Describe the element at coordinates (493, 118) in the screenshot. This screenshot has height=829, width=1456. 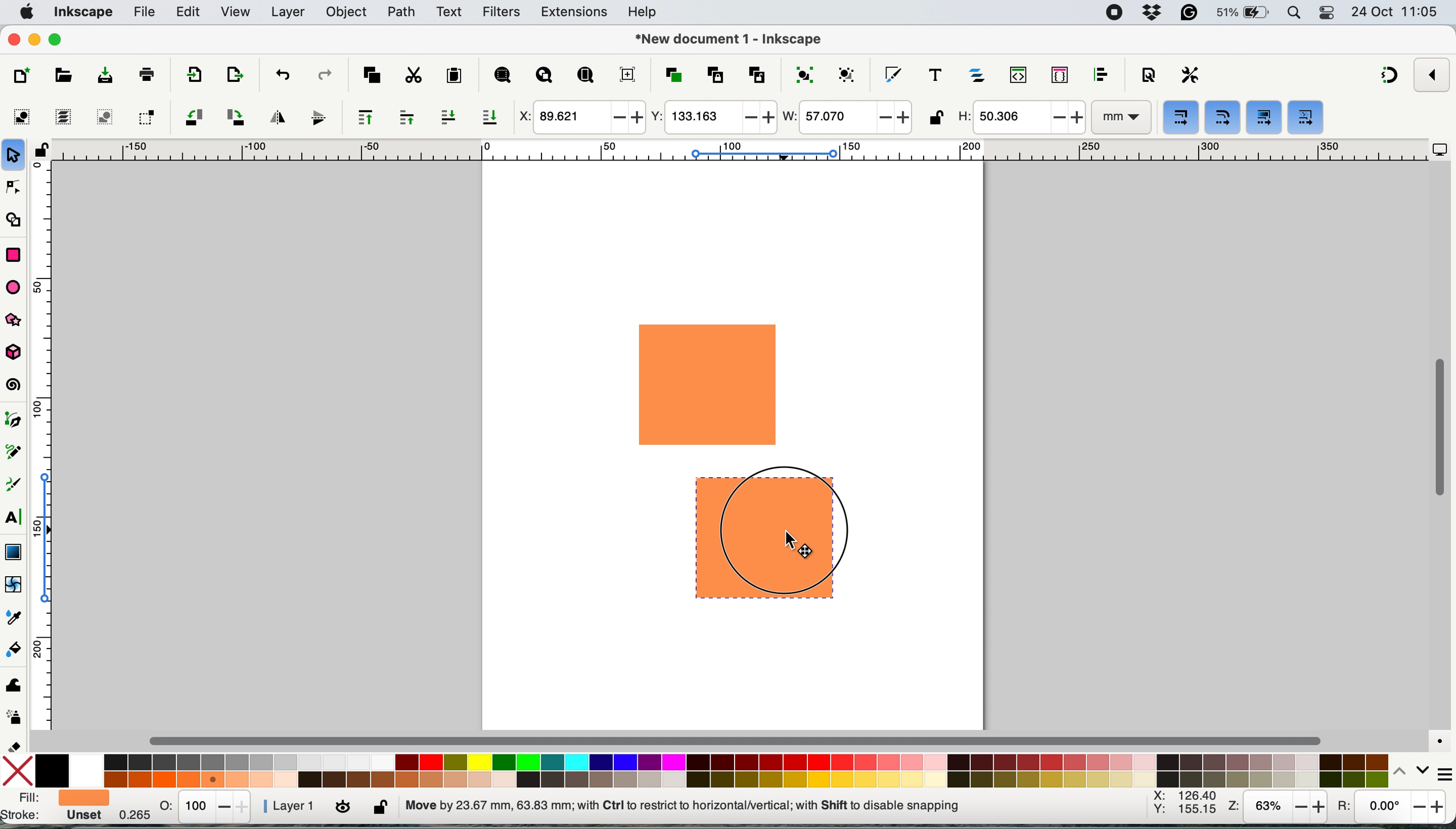
I see `lower selection to bottom` at that location.